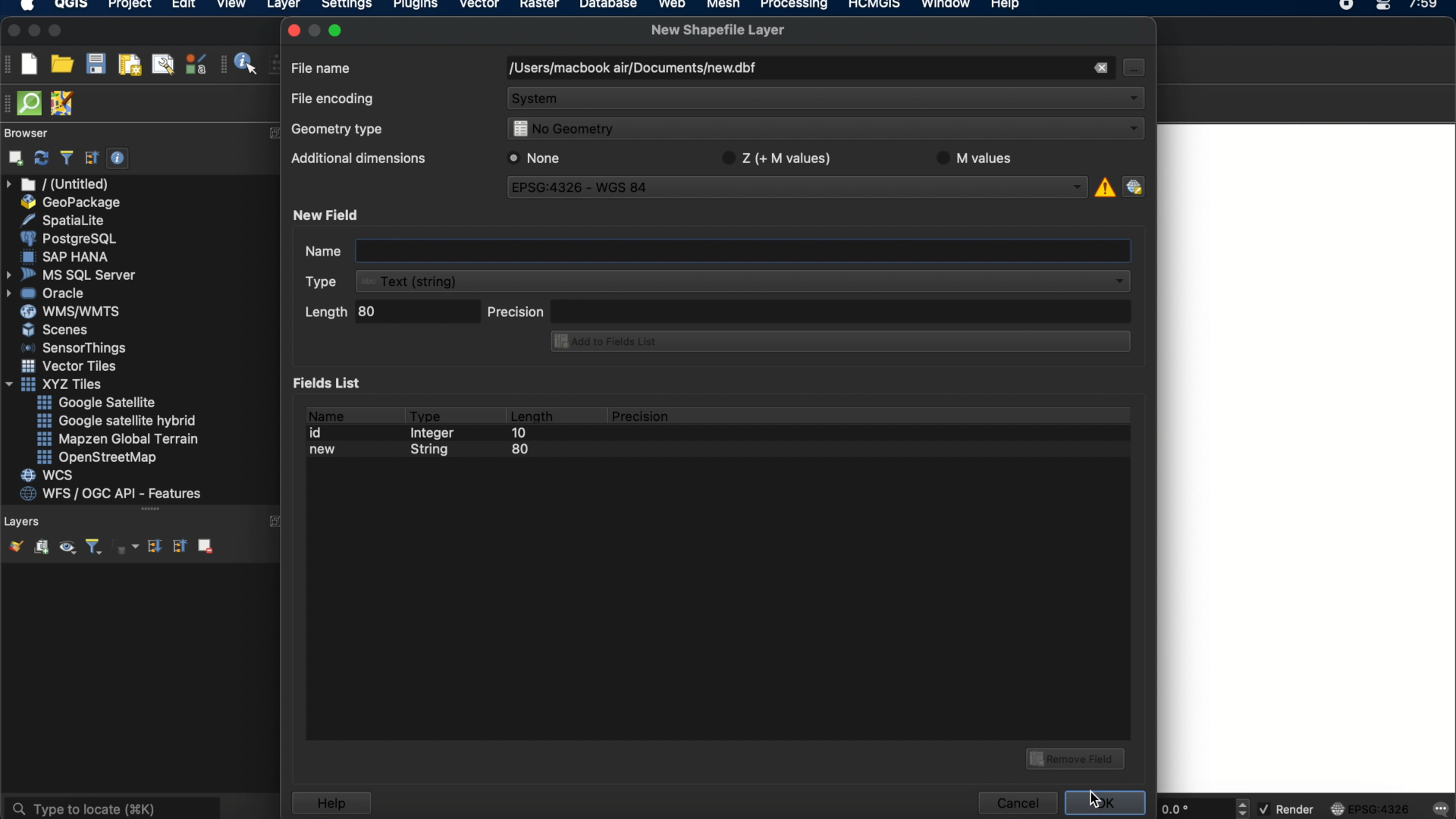 The width and height of the screenshot is (1456, 819). Describe the element at coordinates (338, 30) in the screenshot. I see `maximize` at that location.